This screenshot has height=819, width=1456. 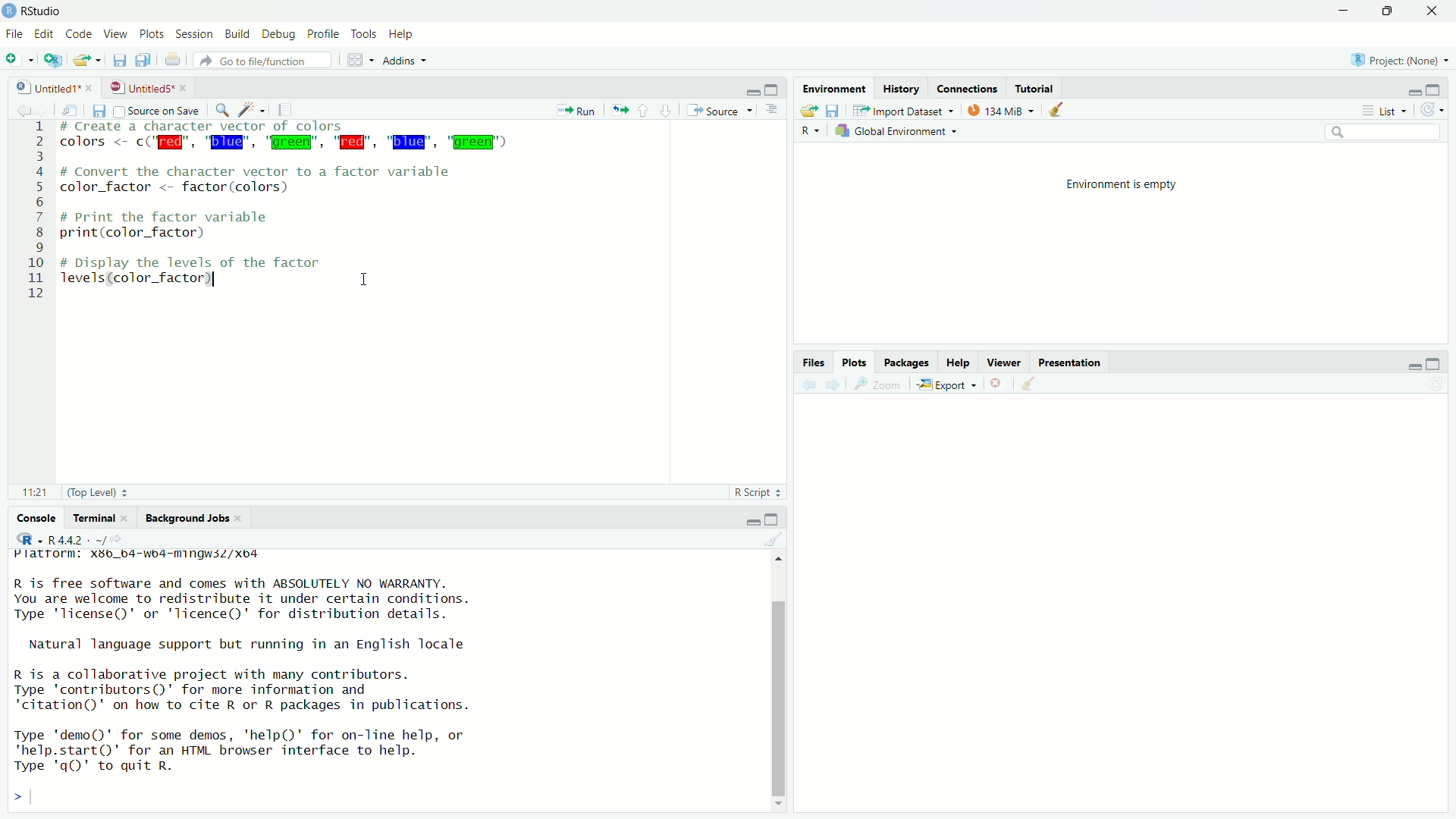 I want to click on minimize, so click(x=1345, y=9).